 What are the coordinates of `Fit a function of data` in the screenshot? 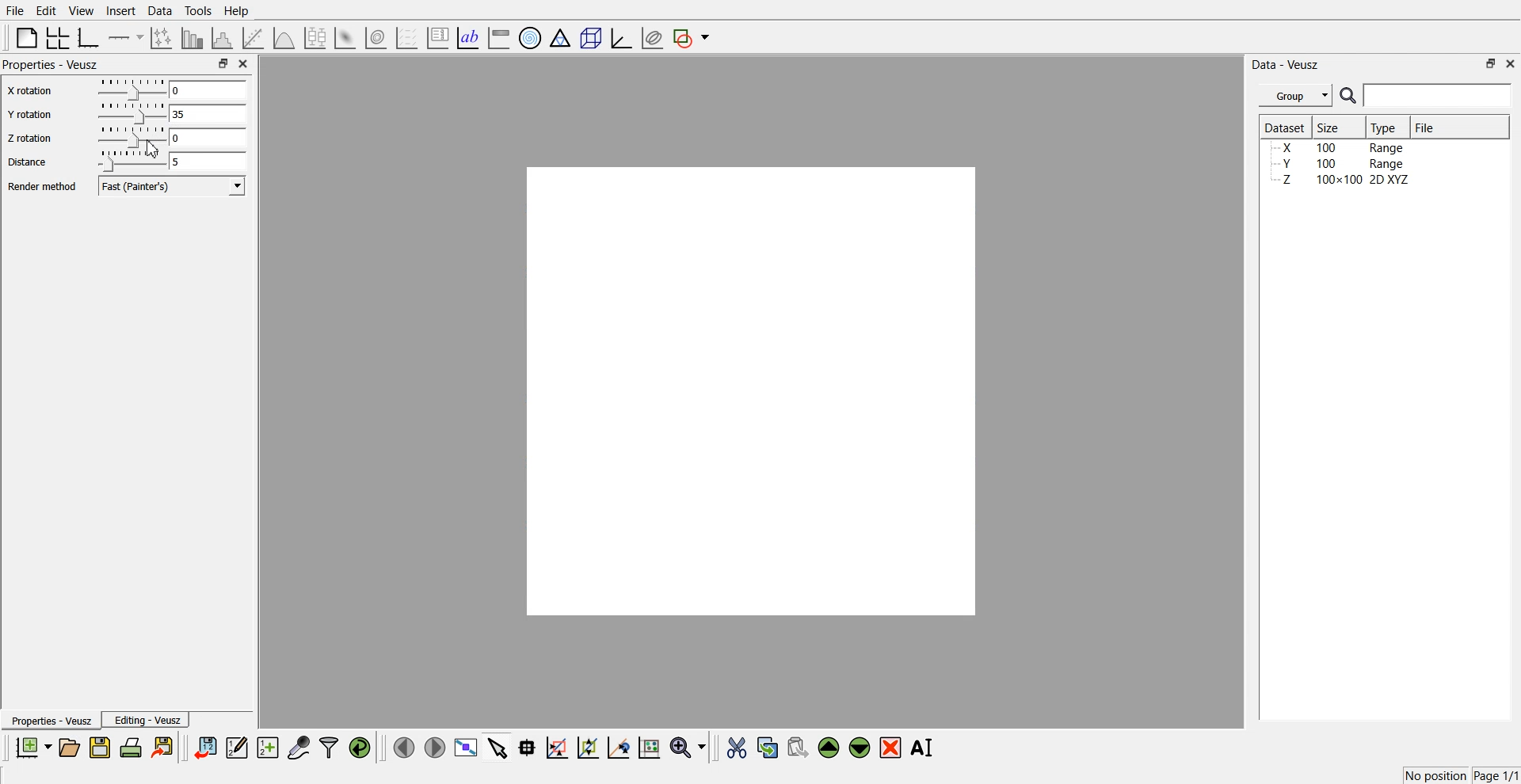 It's located at (252, 38).